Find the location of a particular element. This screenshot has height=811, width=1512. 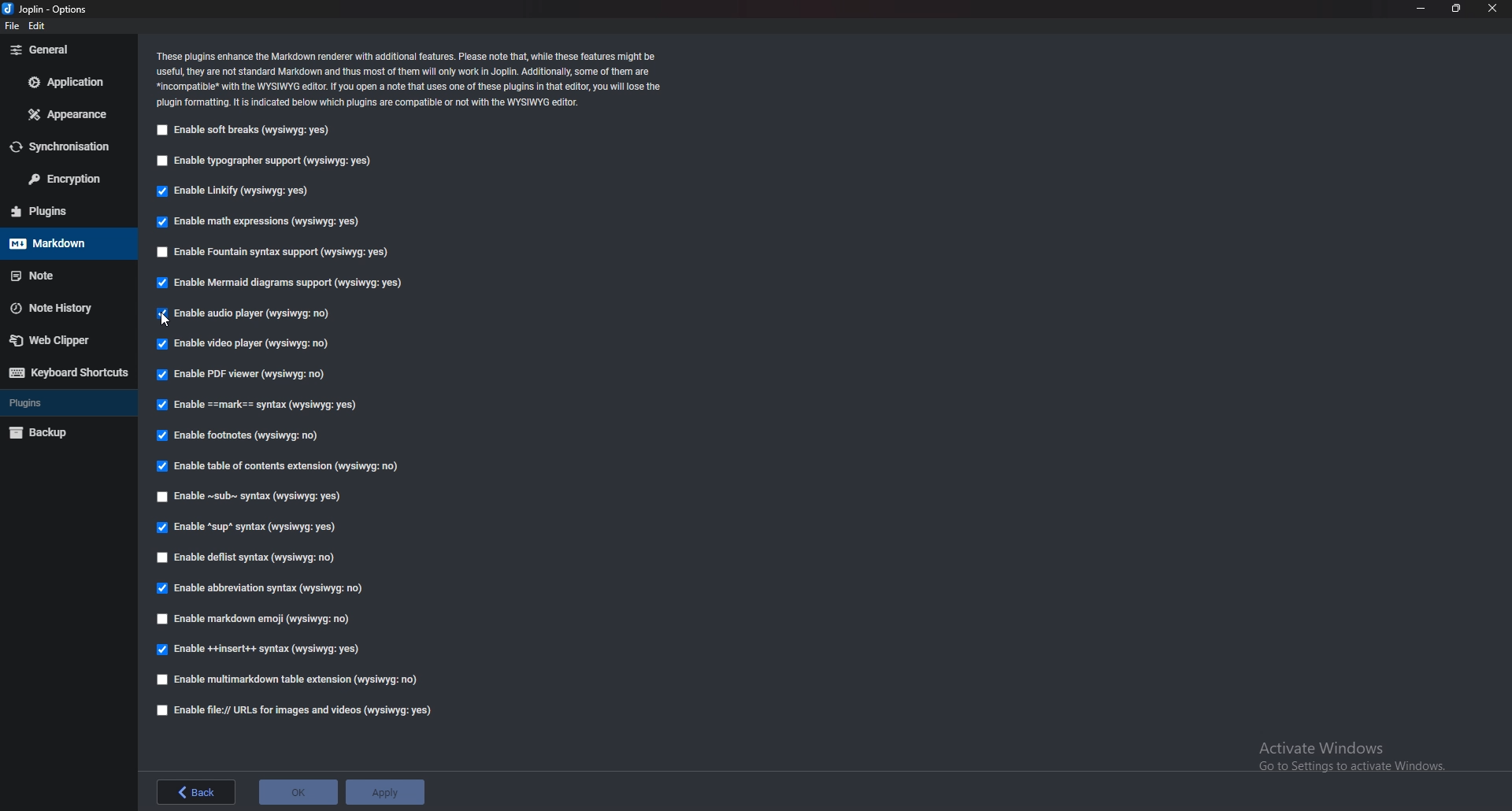

Synchronization is located at coordinates (65, 146).